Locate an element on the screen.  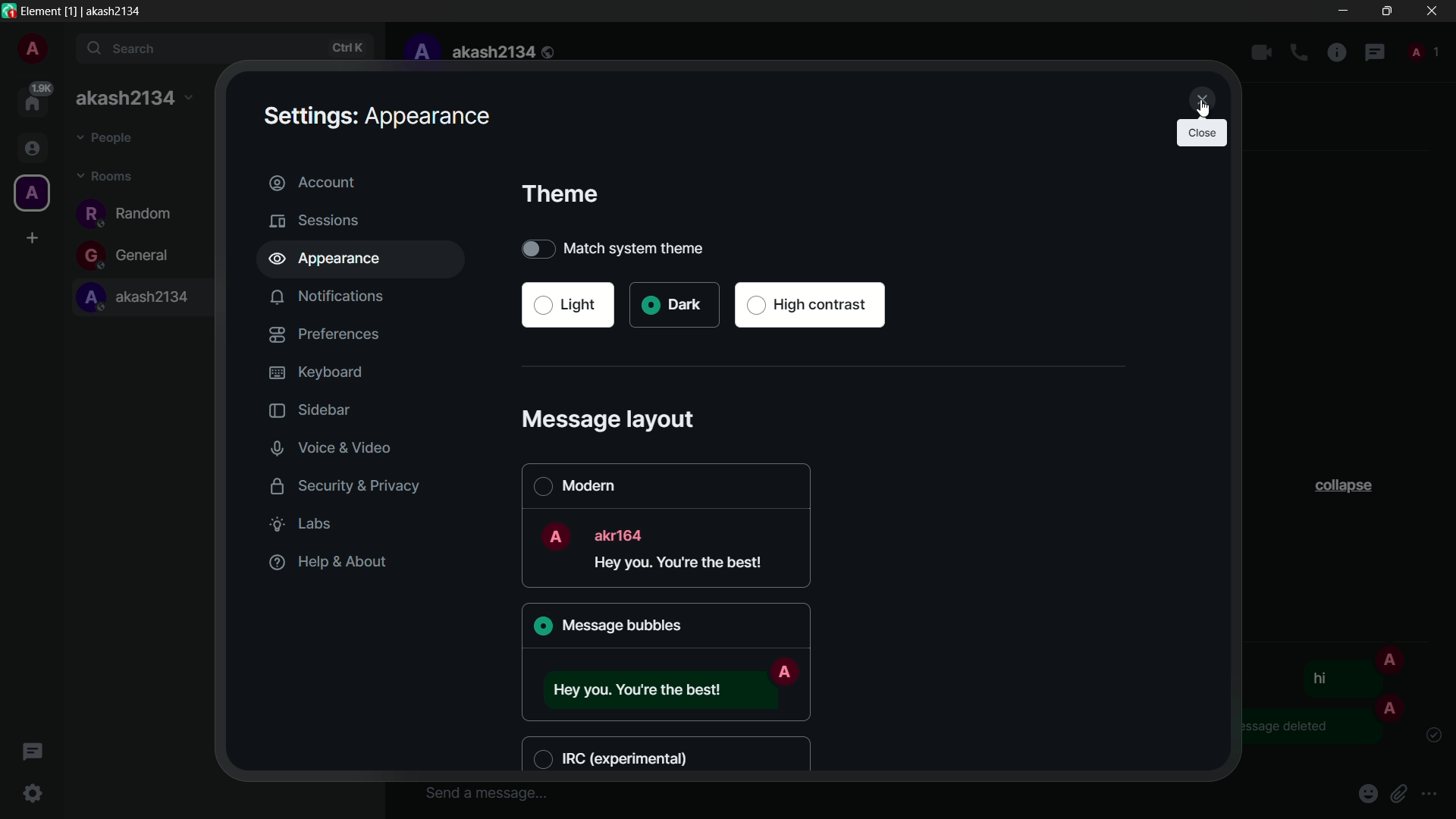
tick is located at coordinates (1434, 735).